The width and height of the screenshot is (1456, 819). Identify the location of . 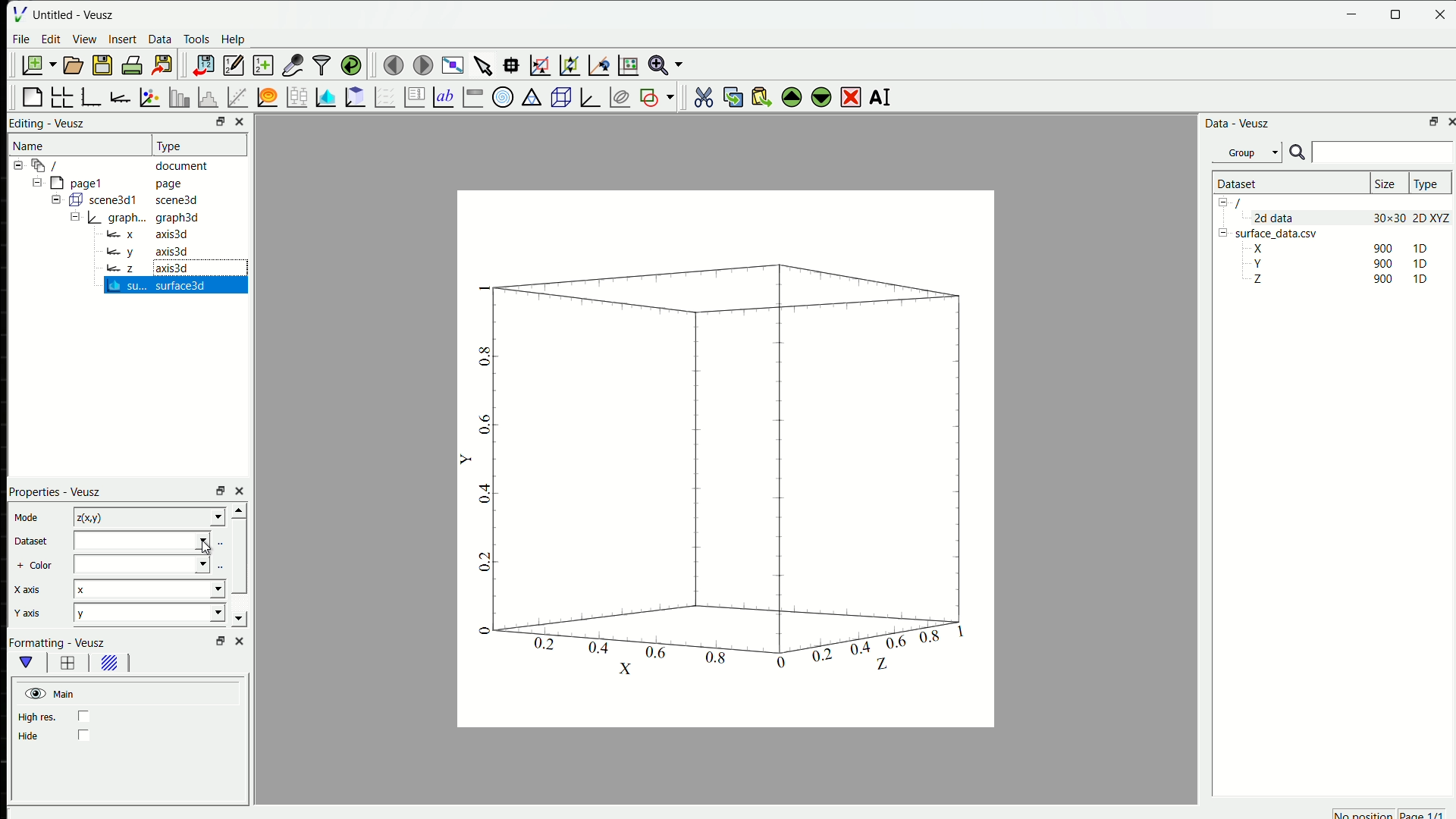
(116, 217).